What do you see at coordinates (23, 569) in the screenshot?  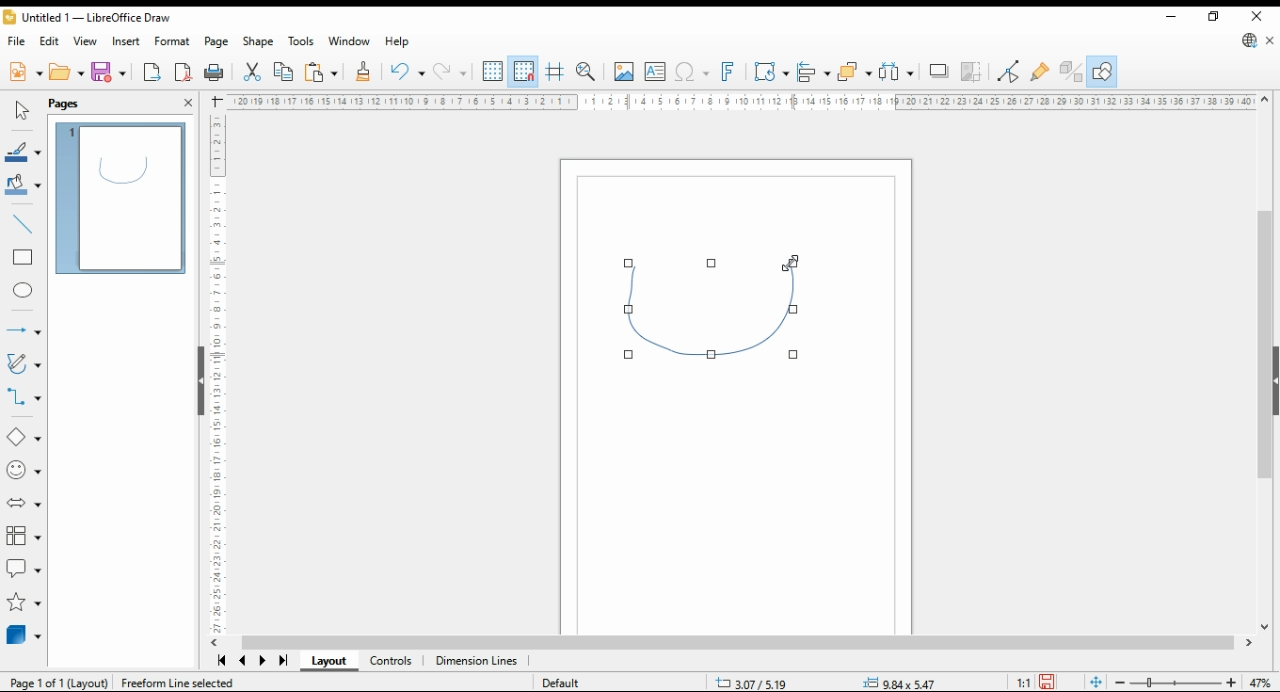 I see `callout shapes` at bounding box center [23, 569].